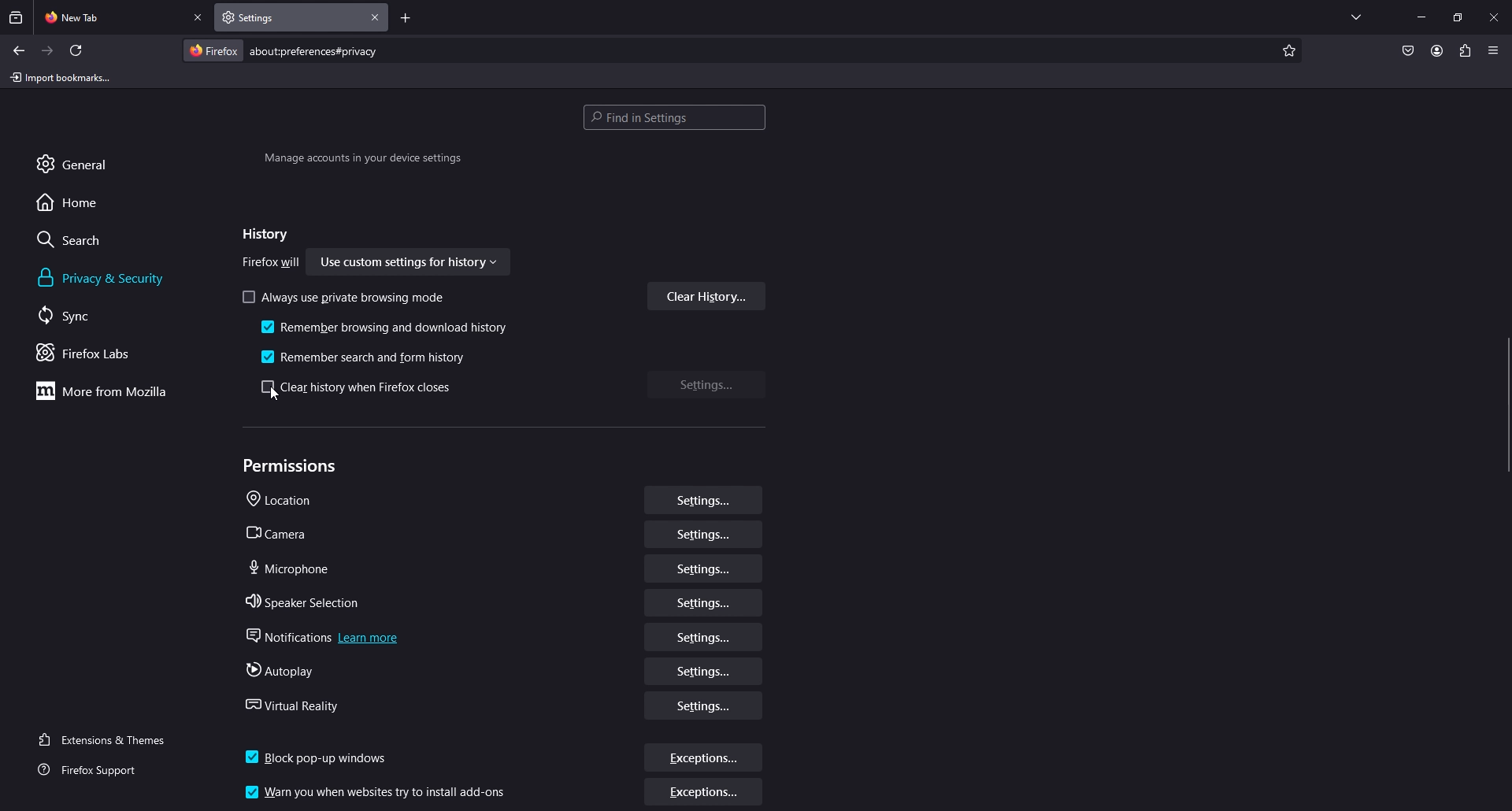  What do you see at coordinates (704, 637) in the screenshot?
I see `settings` at bounding box center [704, 637].